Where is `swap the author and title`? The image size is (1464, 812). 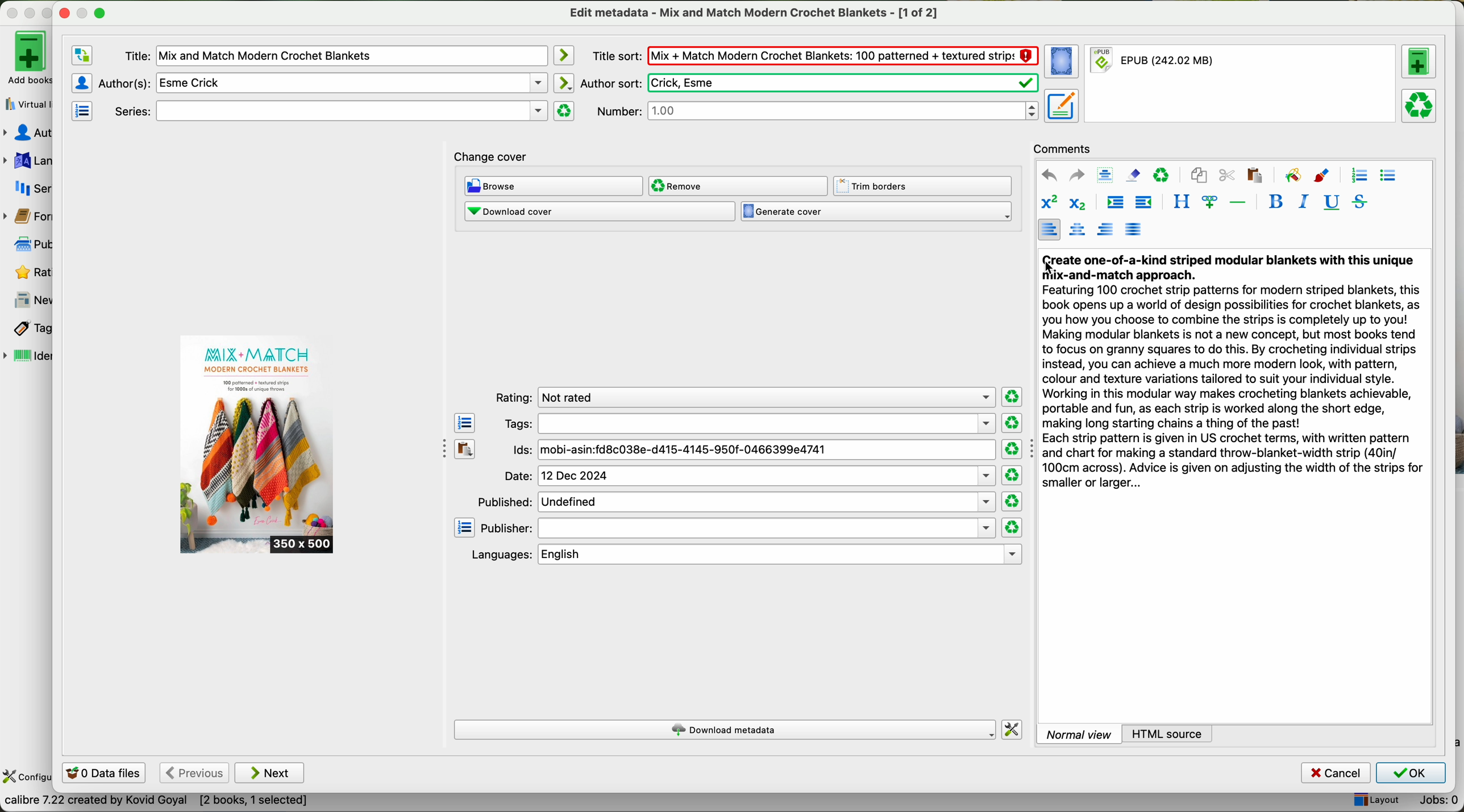 swap the author and title is located at coordinates (82, 56).